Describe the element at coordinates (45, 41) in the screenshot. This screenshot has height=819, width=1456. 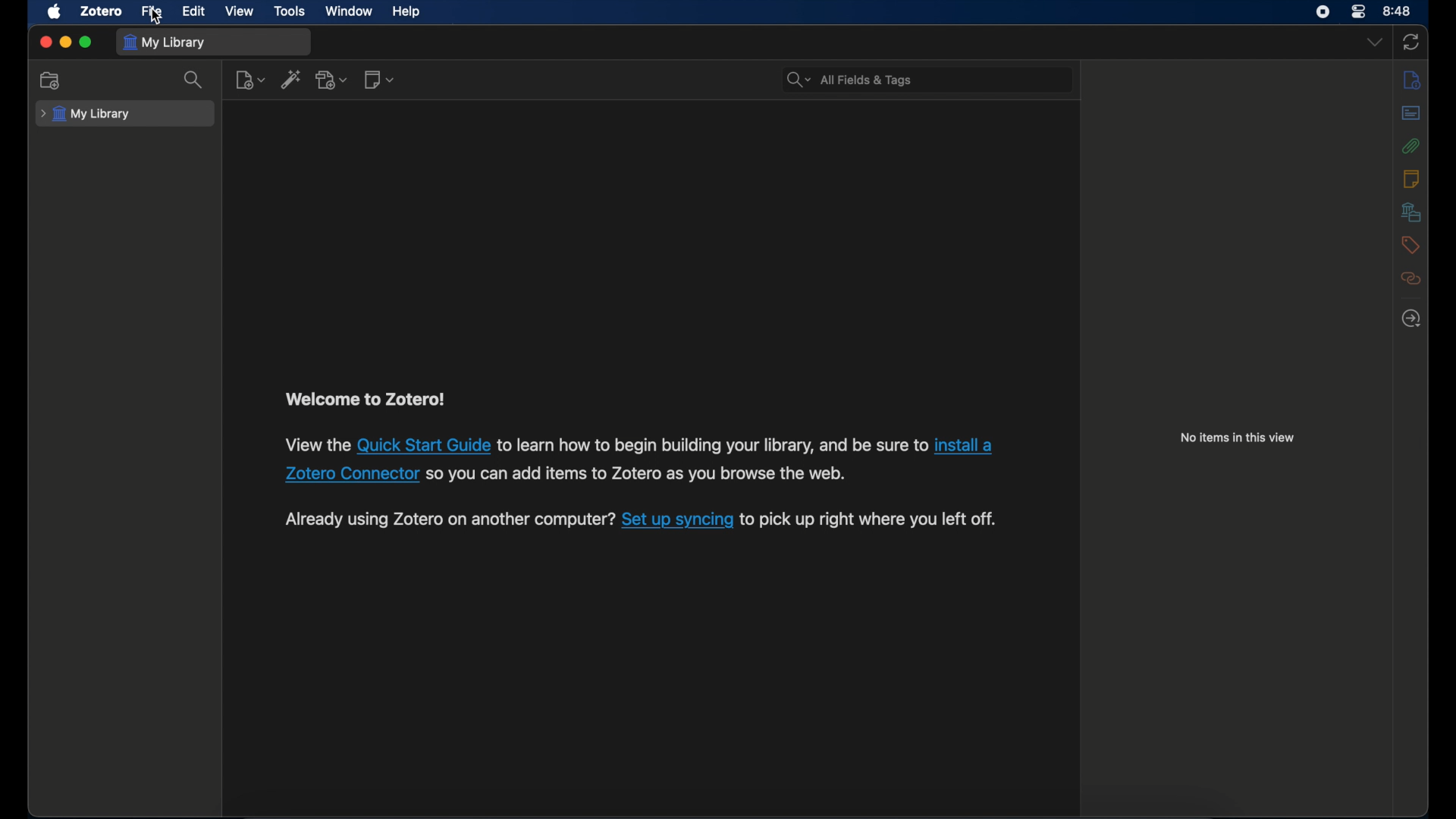
I see `close` at that location.